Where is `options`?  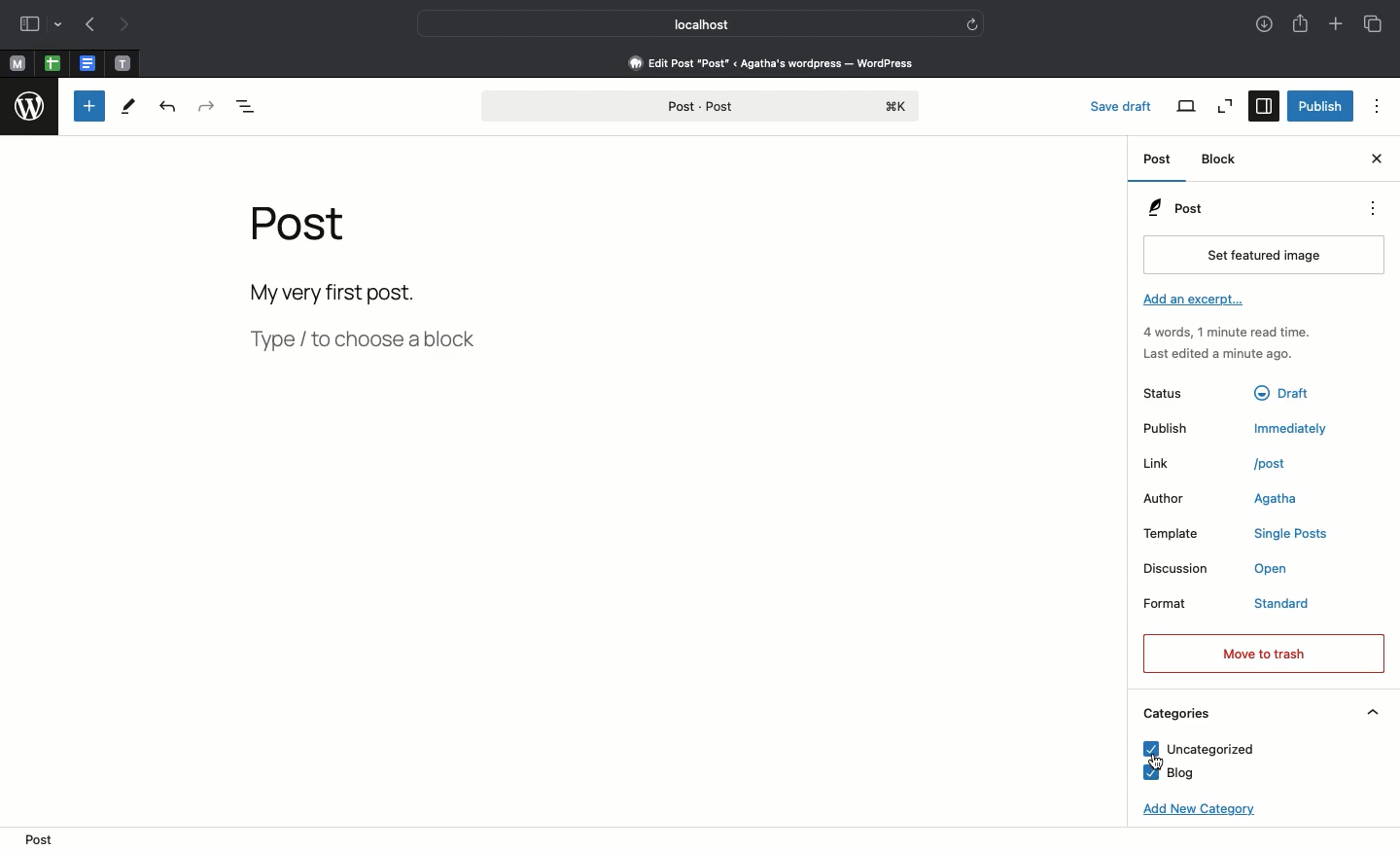 options is located at coordinates (1378, 106).